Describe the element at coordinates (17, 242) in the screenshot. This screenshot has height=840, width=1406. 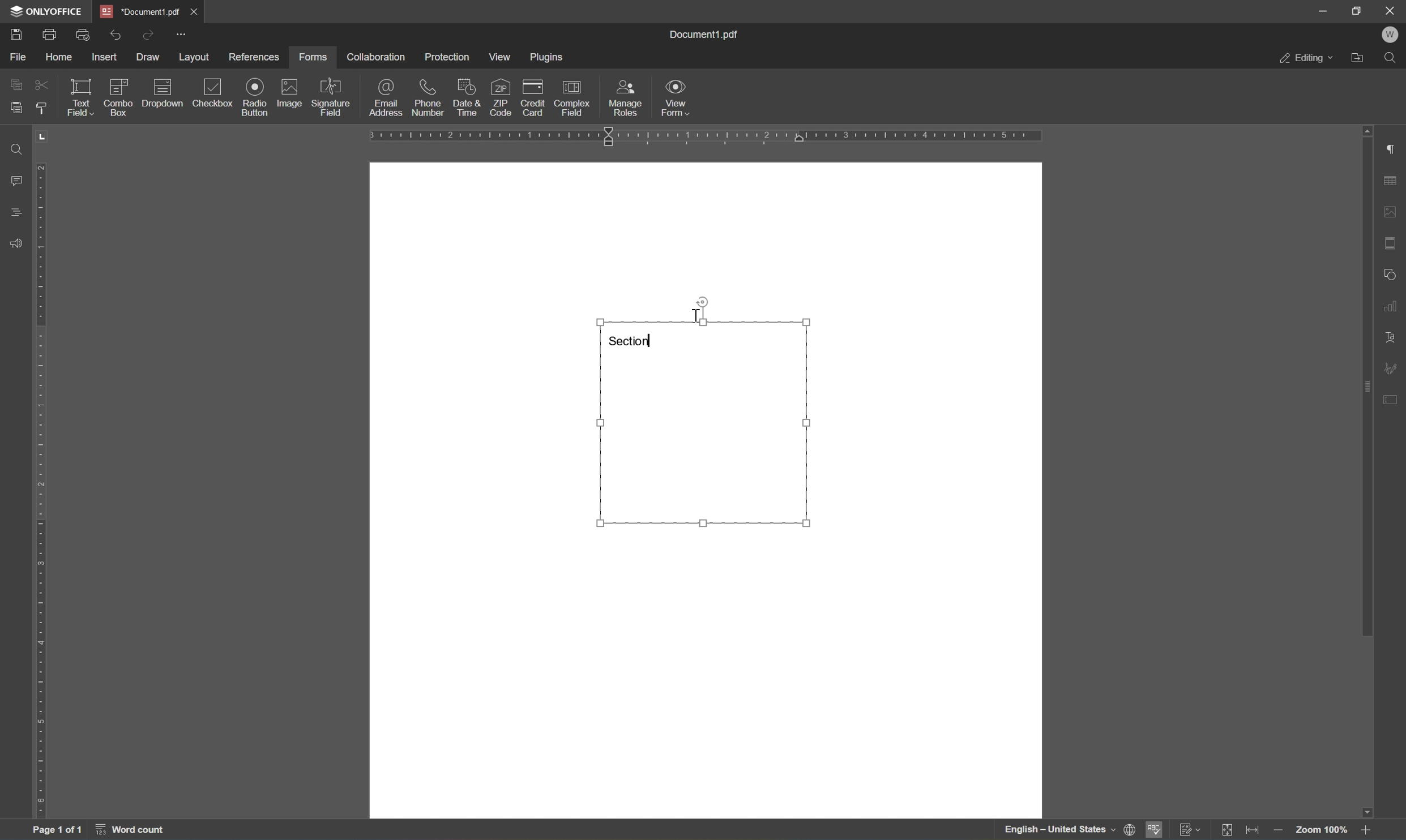
I see `feedback &support` at that location.